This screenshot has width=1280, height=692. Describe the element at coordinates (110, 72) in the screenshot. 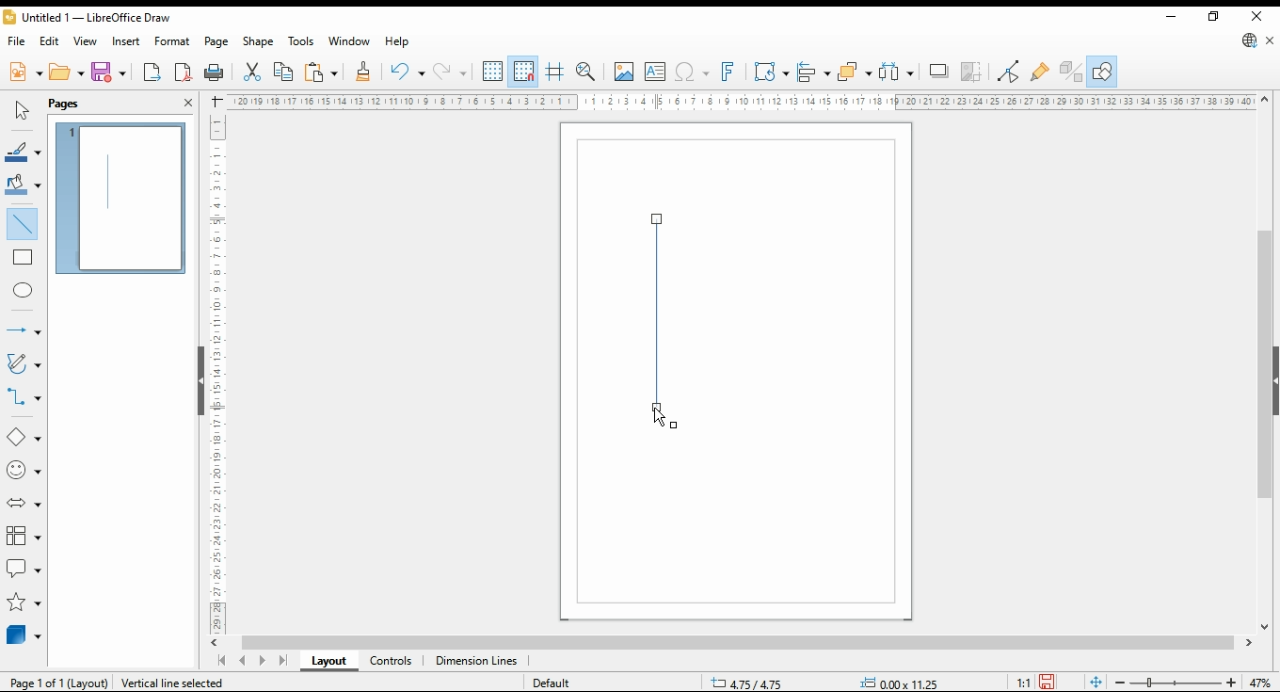

I see `save` at that location.